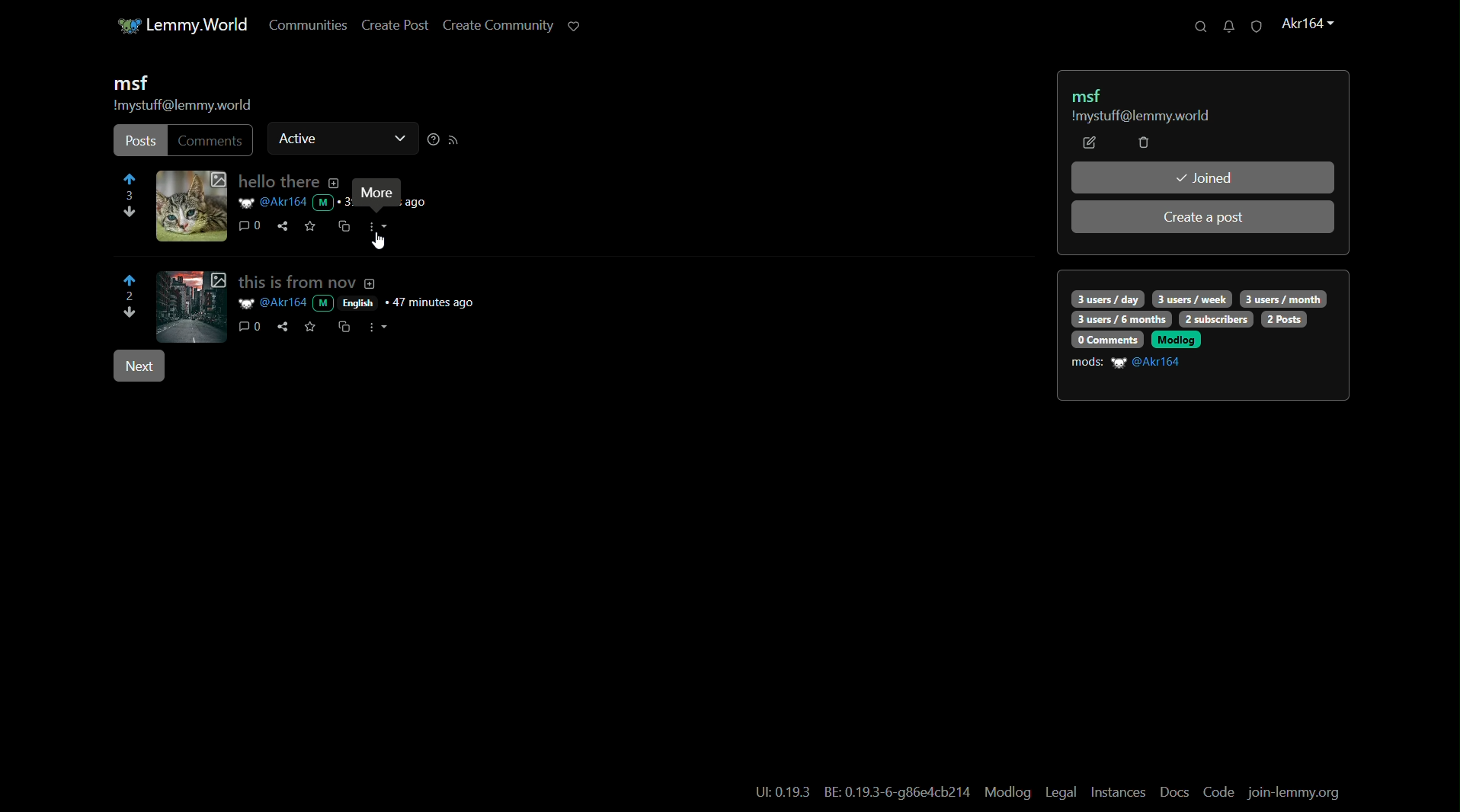 The height and width of the screenshot is (812, 1460). Describe the element at coordinates (324, 203) in the screenshot. I see `mod` at that location.